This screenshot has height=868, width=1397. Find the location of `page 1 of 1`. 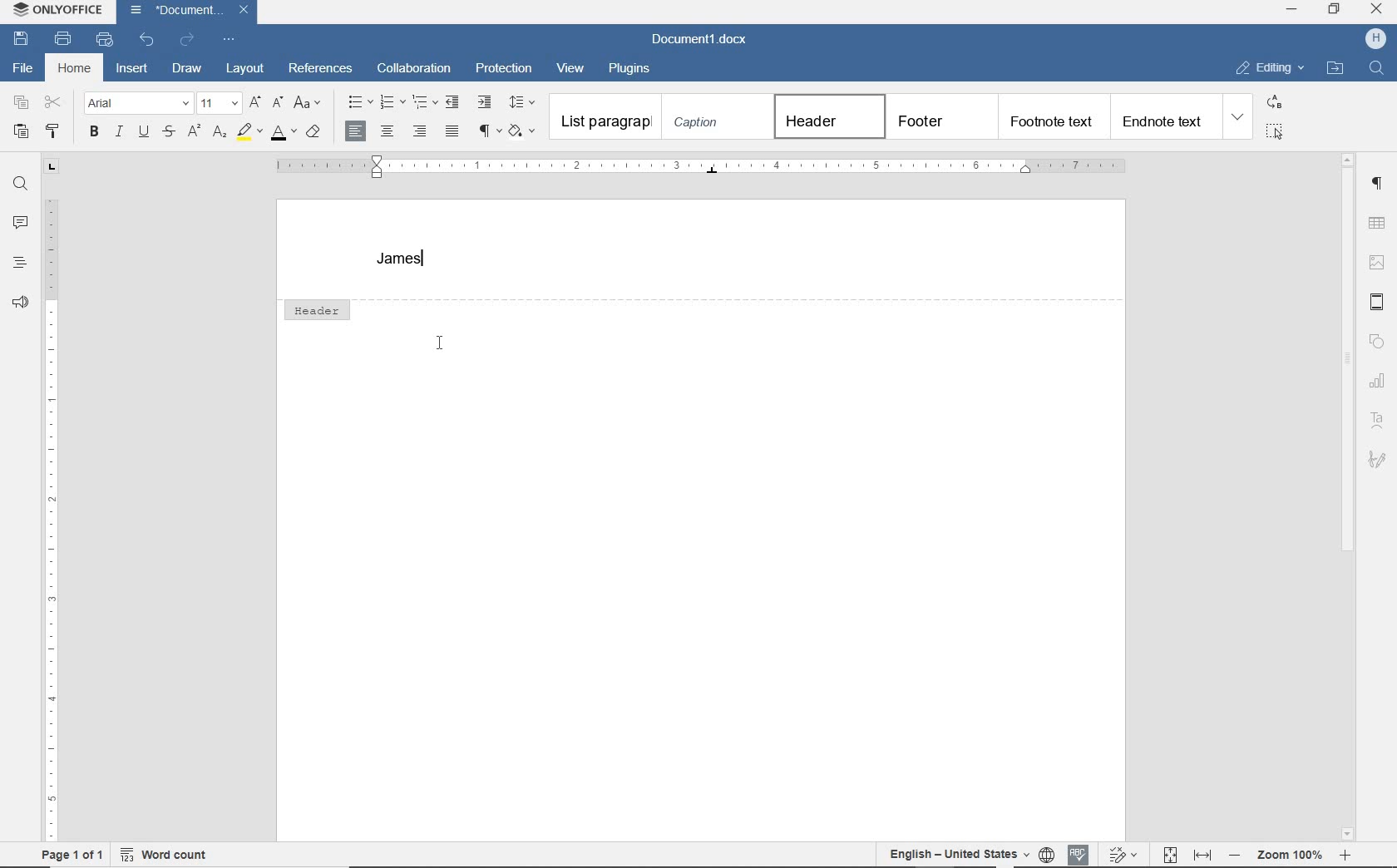

page 1 of 1 is located at coordinates (76, 857).